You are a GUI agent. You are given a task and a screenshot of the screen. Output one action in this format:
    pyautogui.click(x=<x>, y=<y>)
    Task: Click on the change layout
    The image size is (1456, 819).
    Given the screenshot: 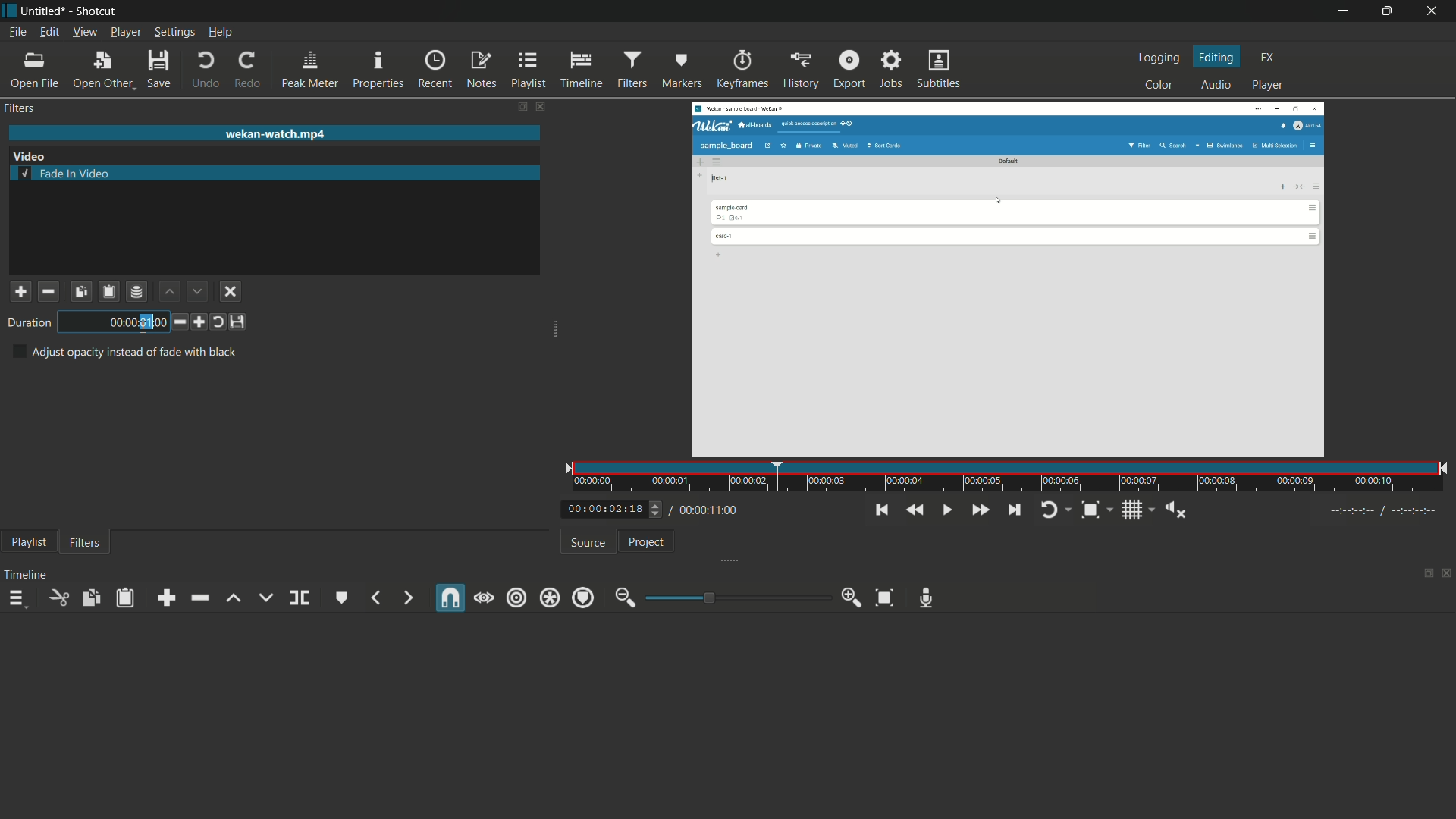 What is the action you would take?
    pyautogui.click(x=519, y=107)
    